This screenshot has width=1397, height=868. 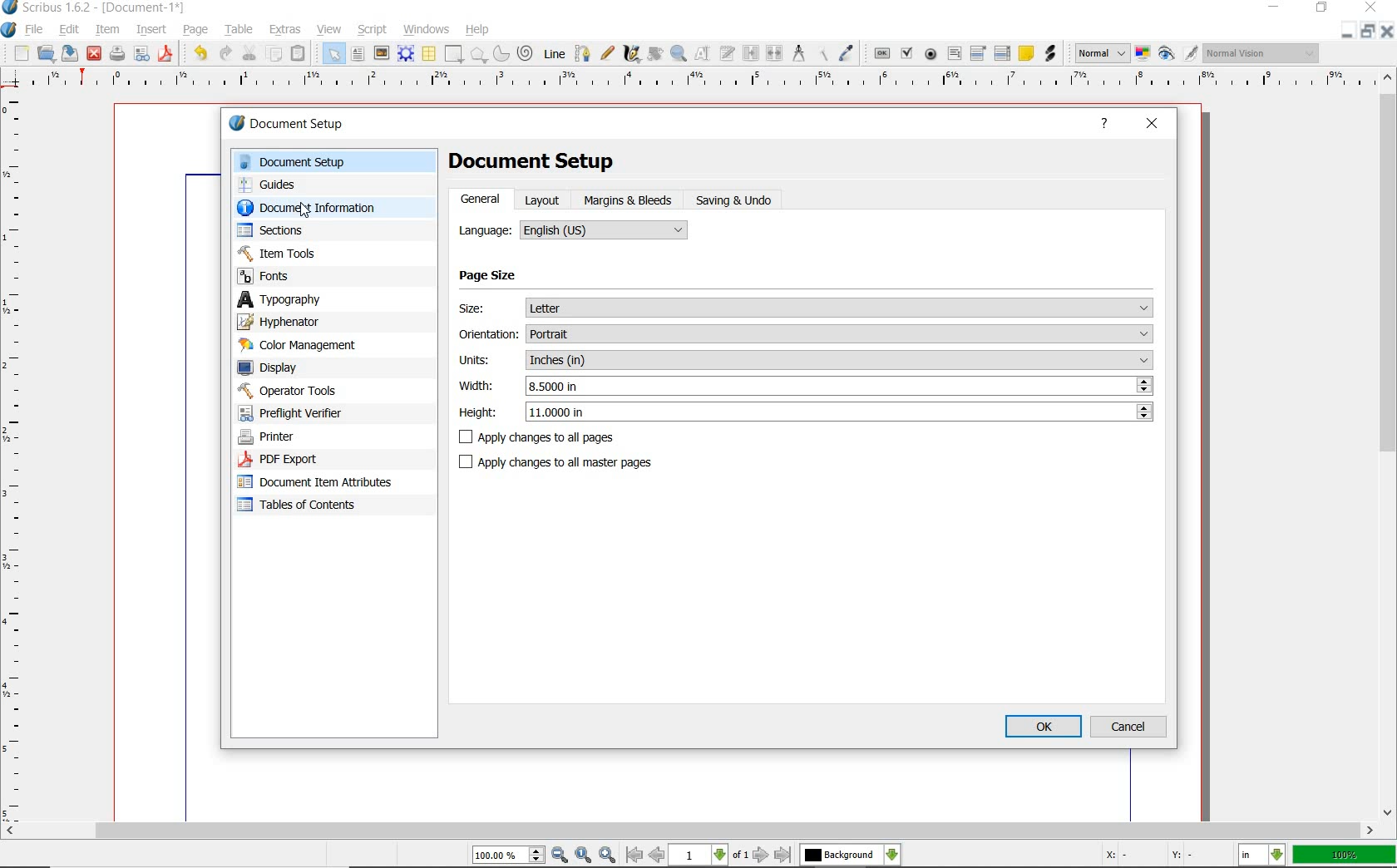 I want to click on Height, so click(x=806, y=412).